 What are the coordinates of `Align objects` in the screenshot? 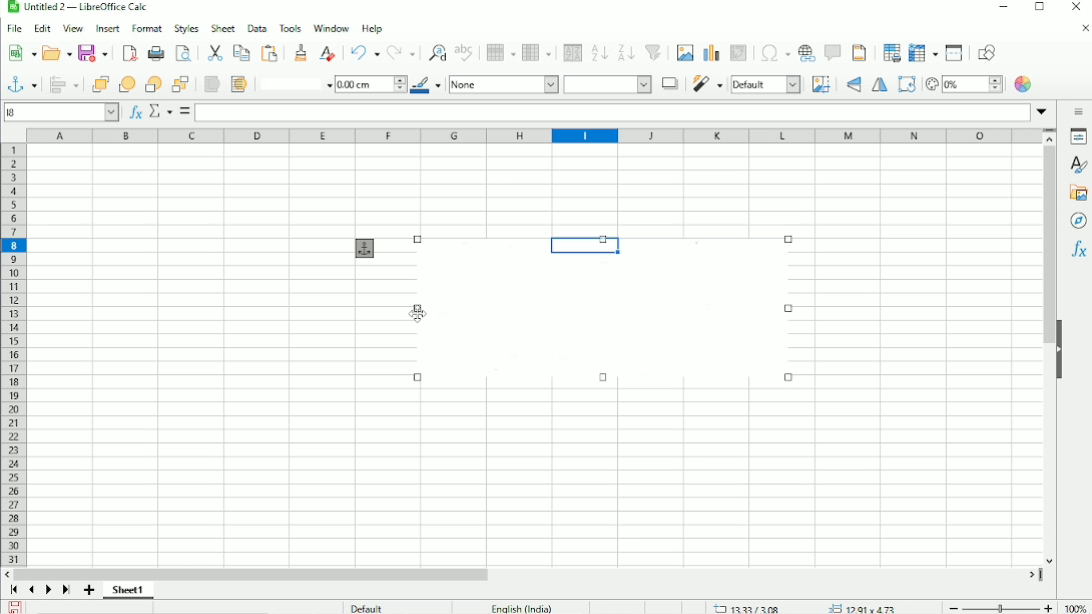 It's located at (63, 84).